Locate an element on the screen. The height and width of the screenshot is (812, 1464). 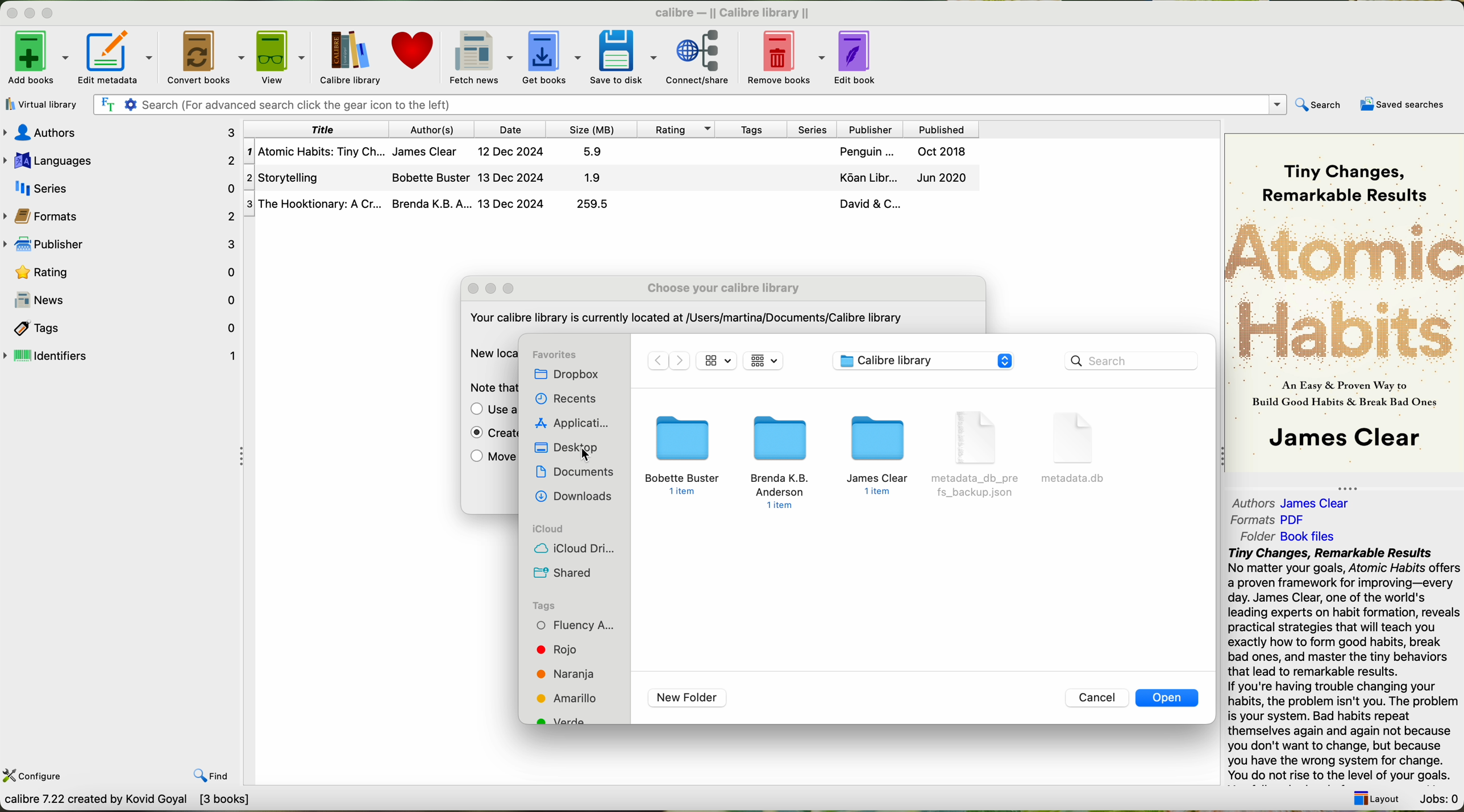
file is located at coordinates (978, 456).